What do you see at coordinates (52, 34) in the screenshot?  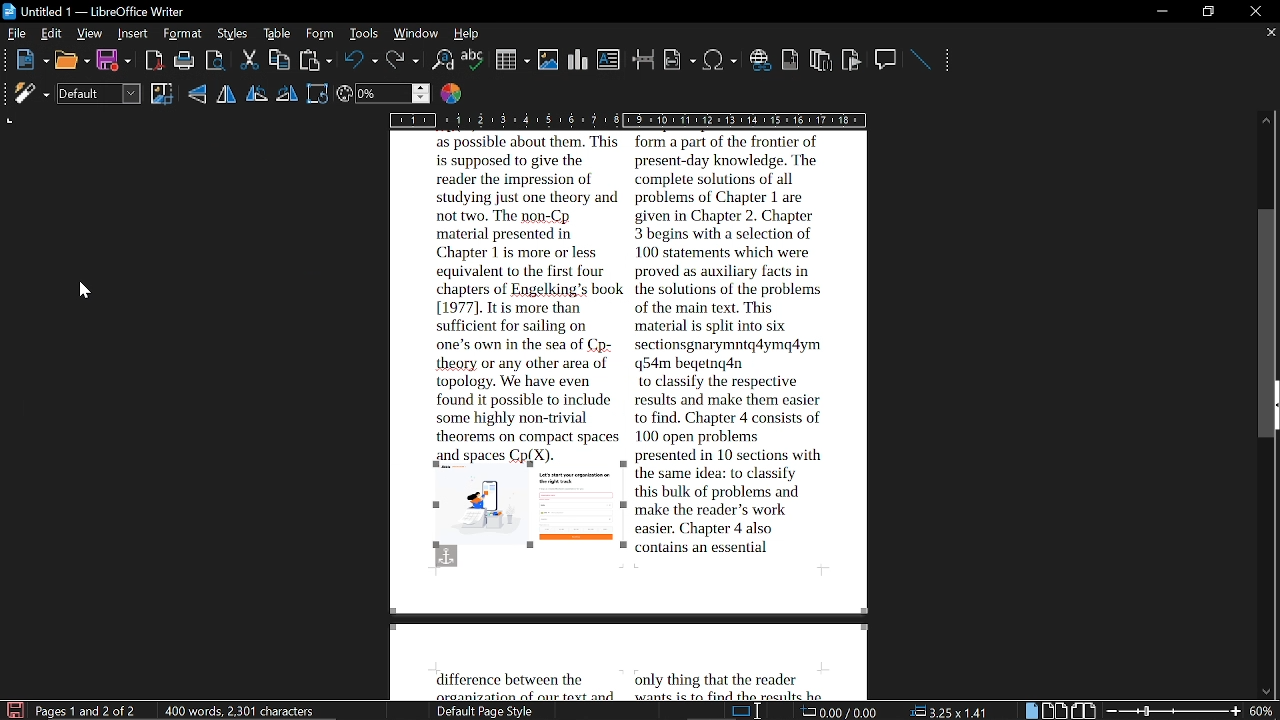 I see `edit` at bounding box center [52, 34].